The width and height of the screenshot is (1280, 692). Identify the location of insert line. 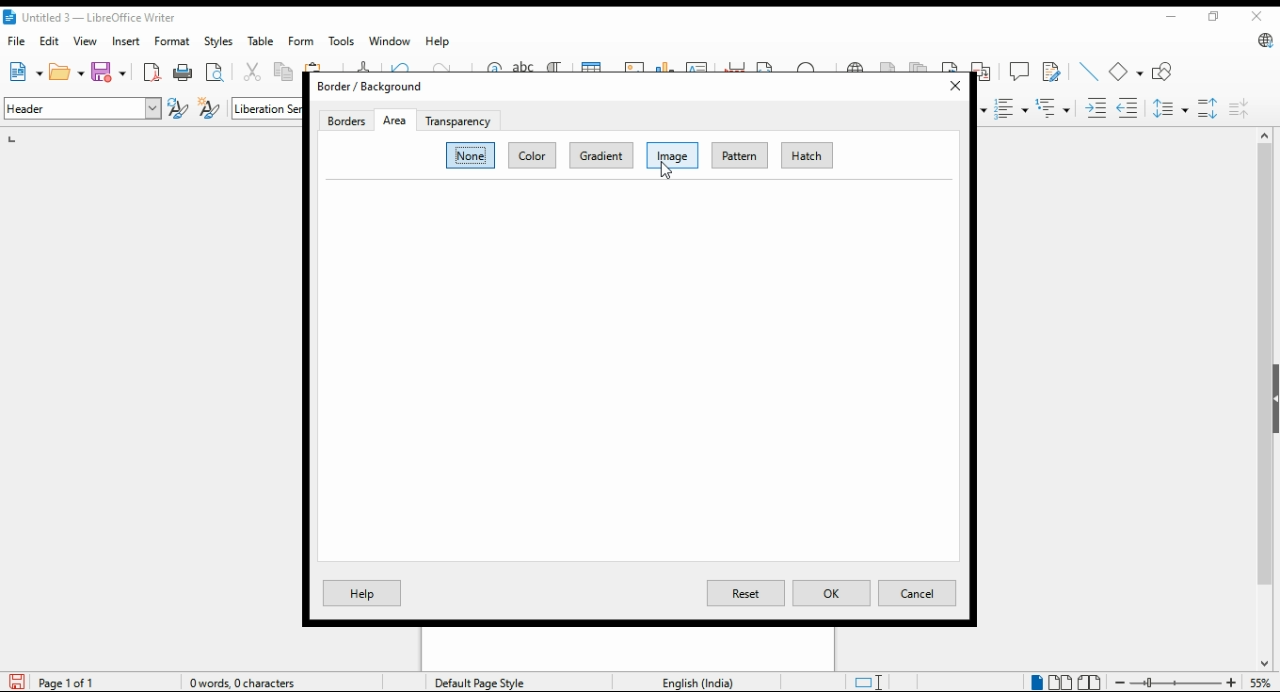
(1089, 71).